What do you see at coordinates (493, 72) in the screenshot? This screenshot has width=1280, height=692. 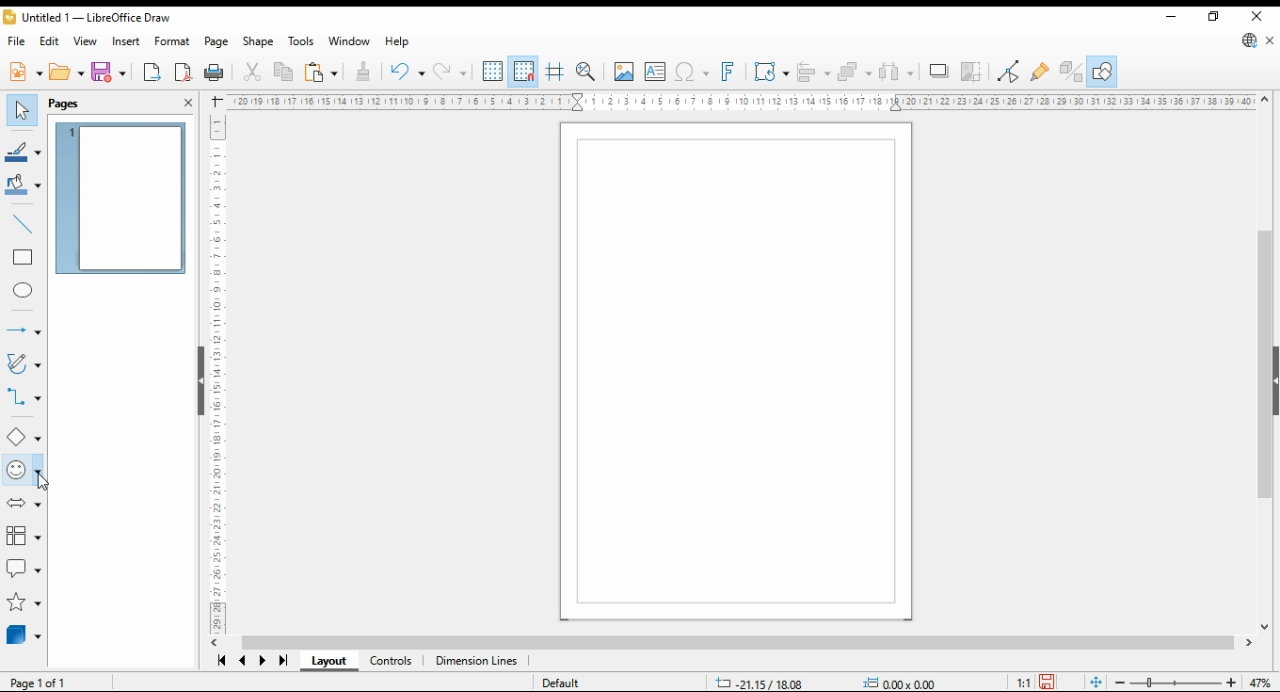 I see `display grid` at bounding box center [493, 72].